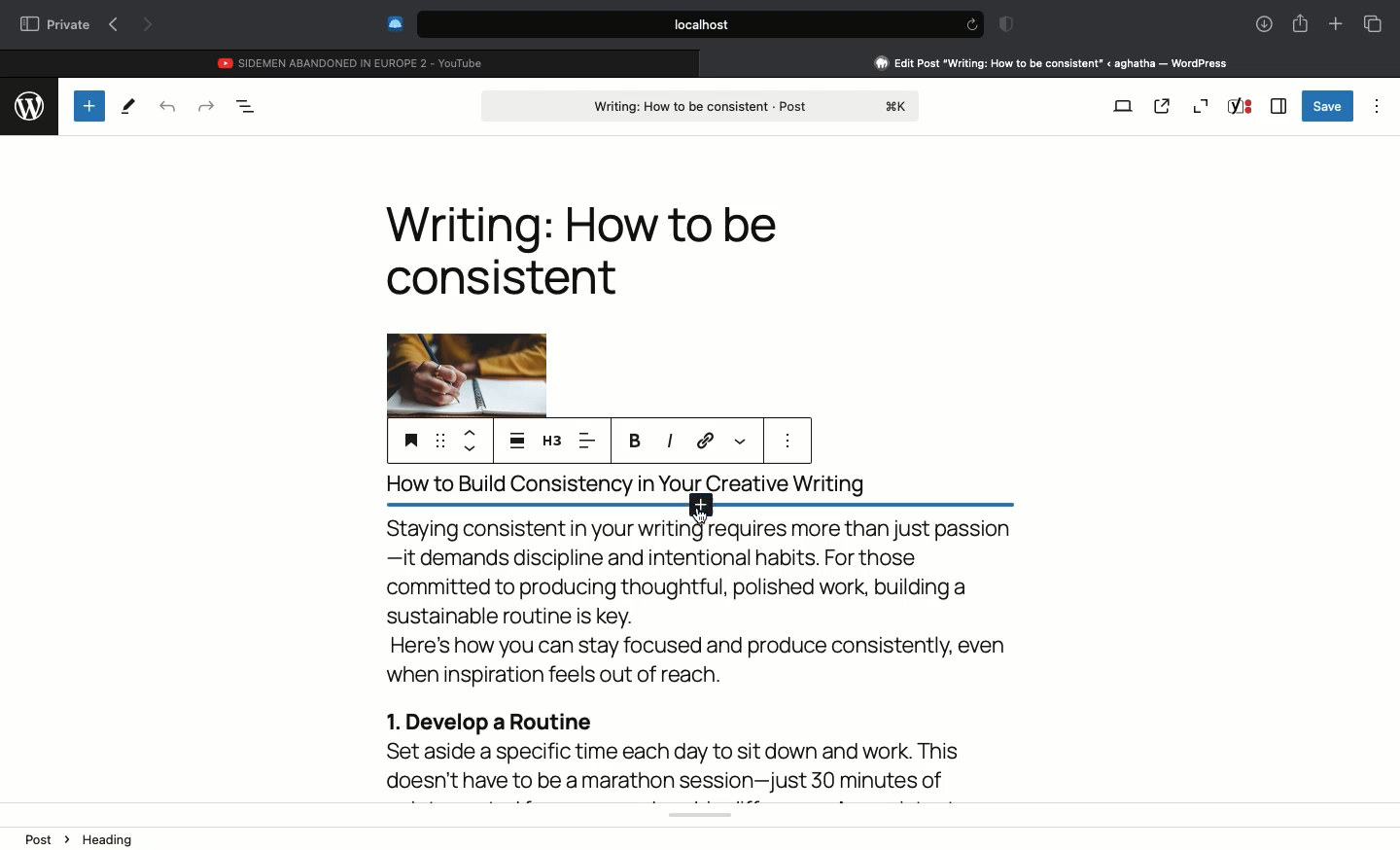 The width and height of the screenshot is (1400, 850). Describe the element at coordinates (408, 439) in the screenshot. I see `Heading` at that location.